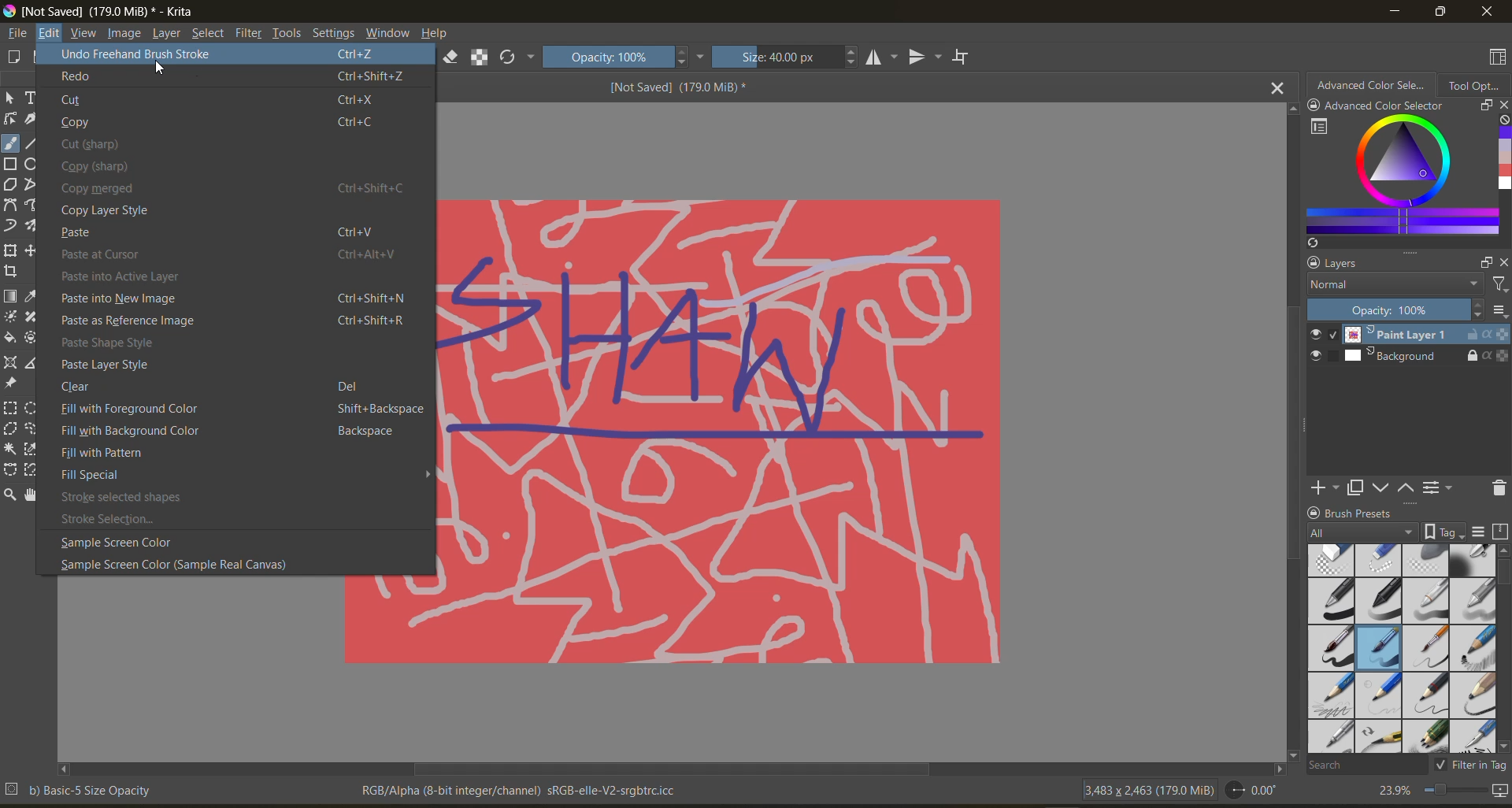 The height and width of the screenshot is (808, 1512). What do you see at coordinates (116, 543) in the screenshot?
I see `sample screen color` at bounding box center [116, 543].